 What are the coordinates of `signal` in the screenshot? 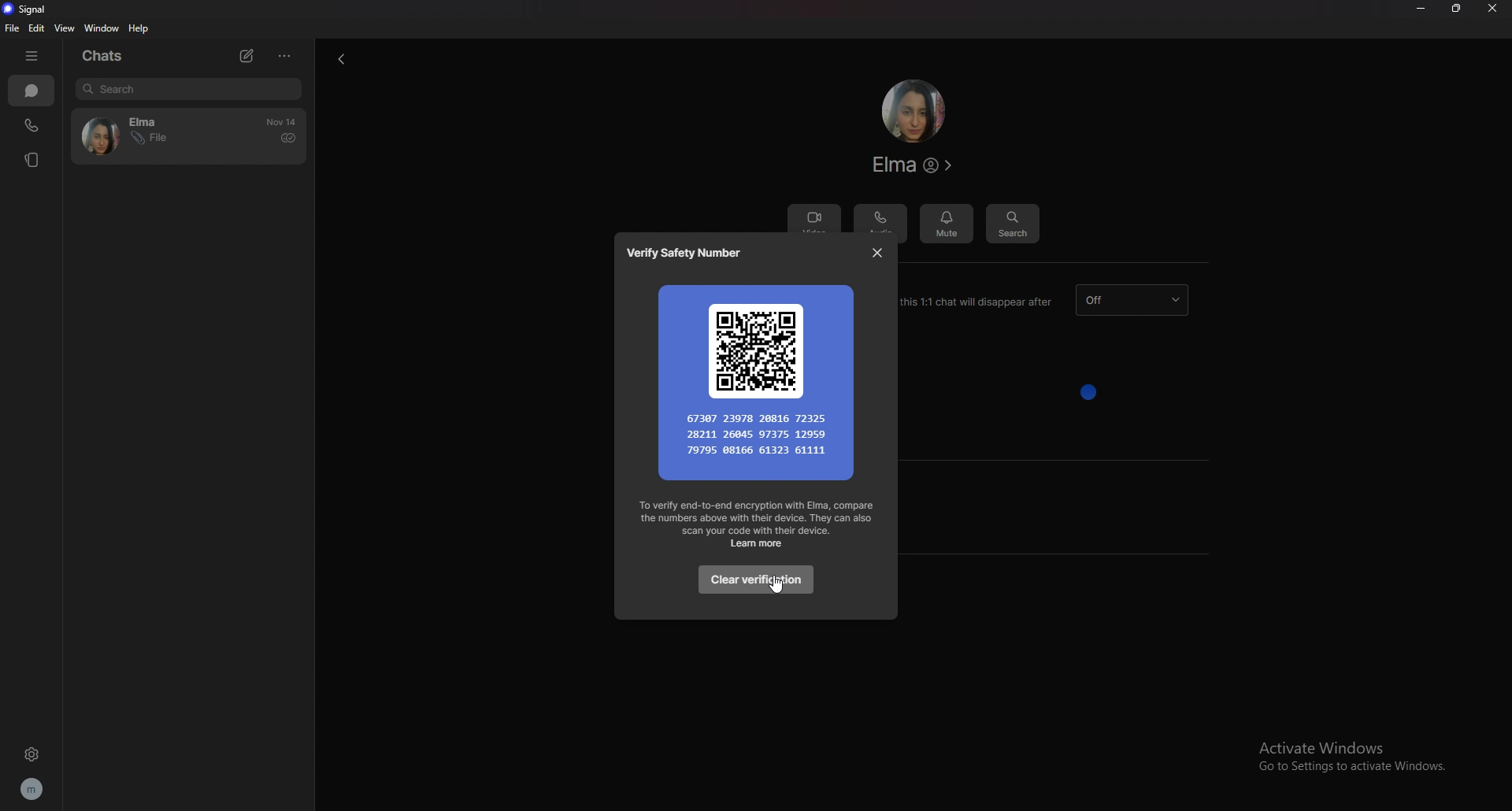 It's located at (30, 10).